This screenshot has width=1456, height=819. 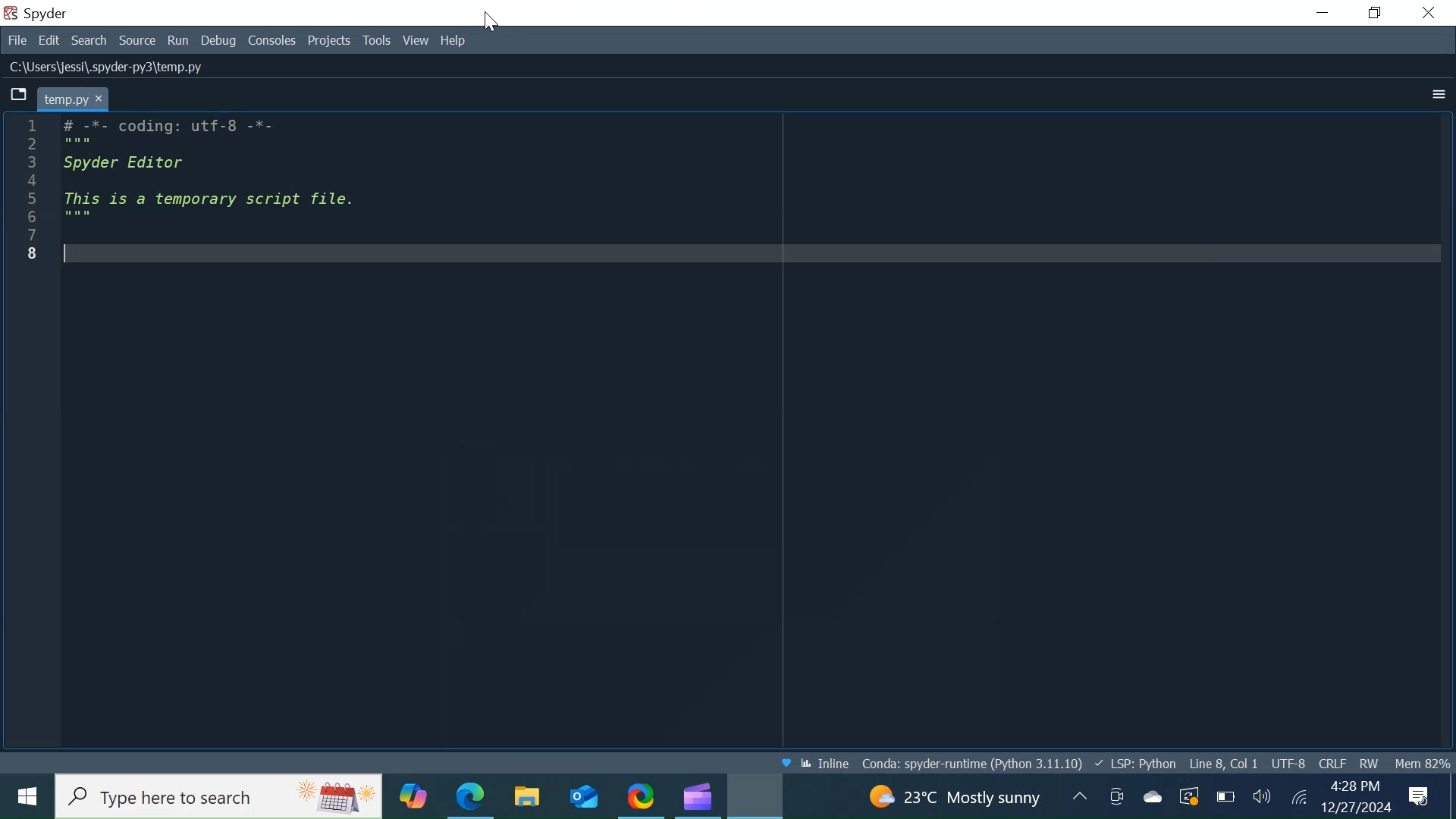 I want to click on Cursor, so click(x=493, y=20).